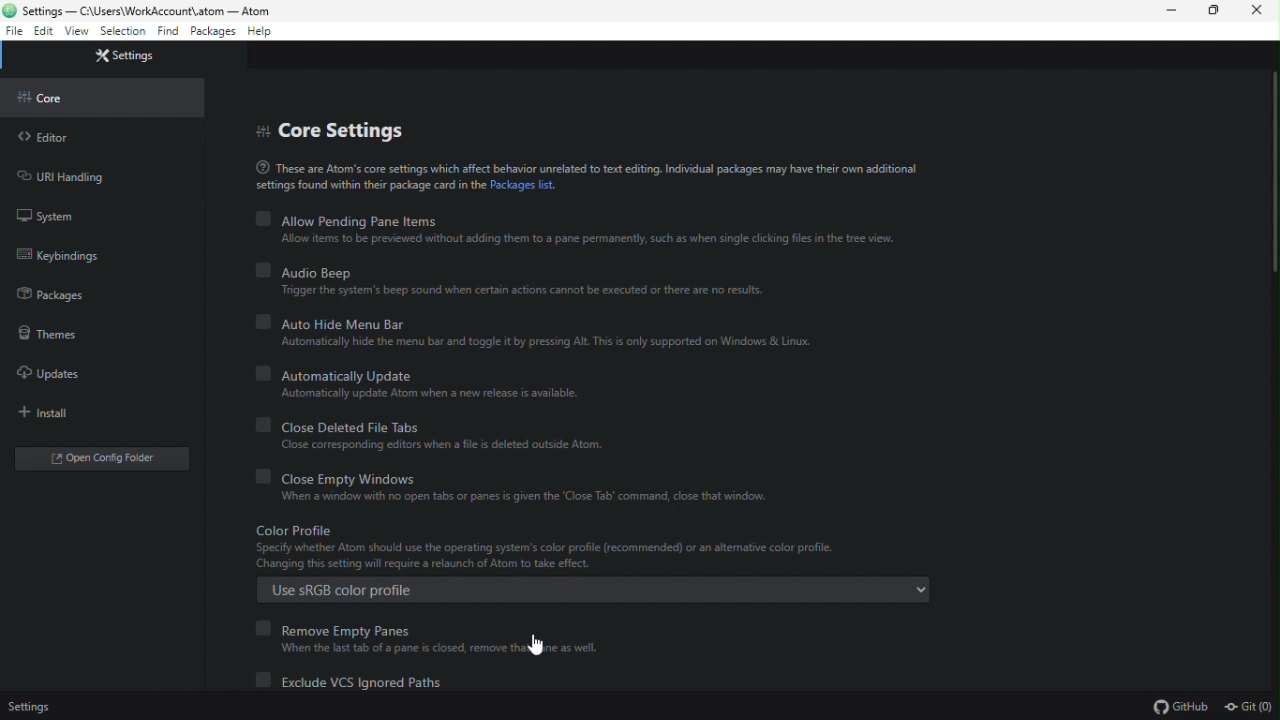 The image size is (1280, 720). I want to click on github, so click(1180, 706).